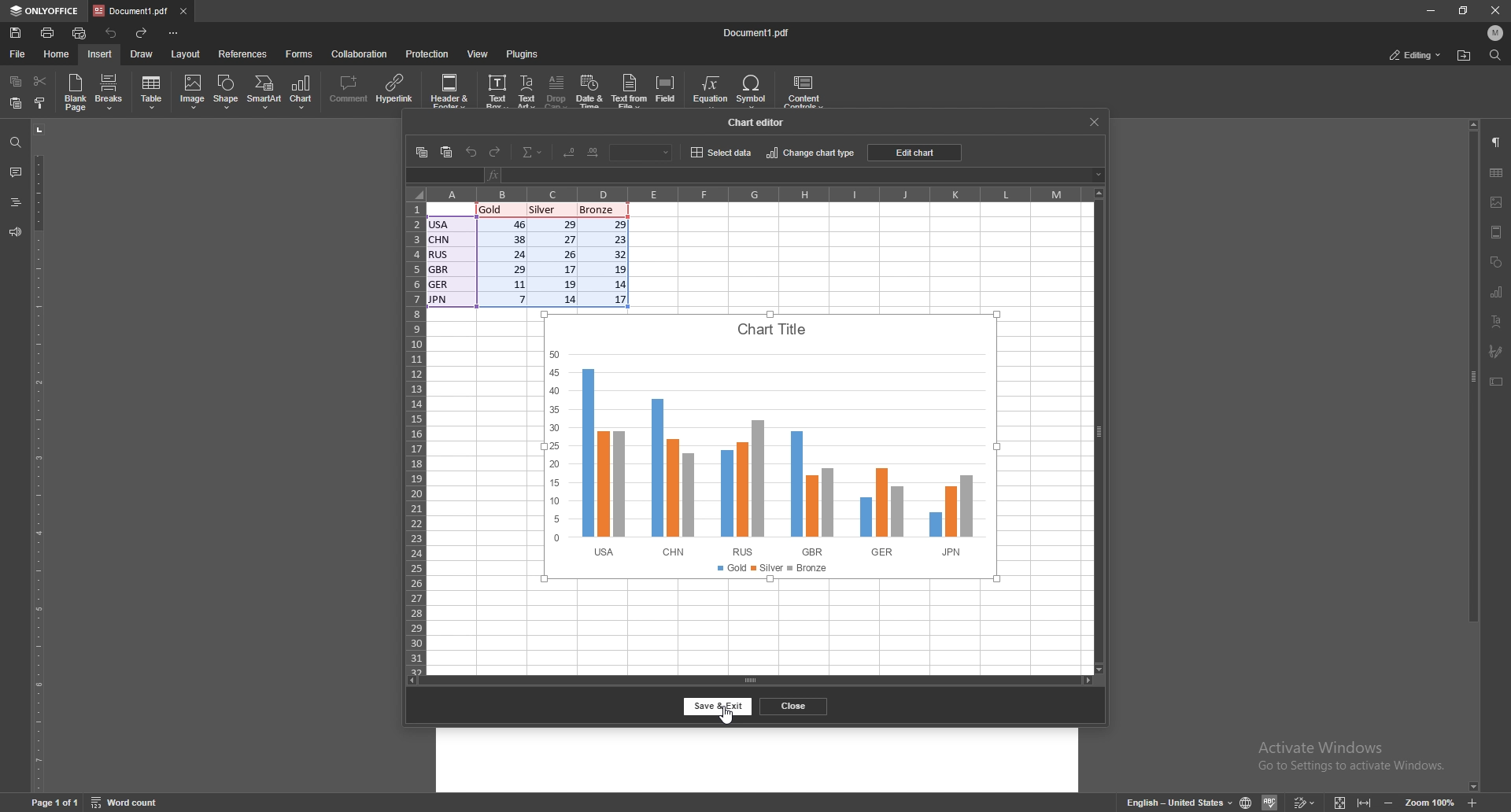 Image resolution: width=1511 pixels, height=812 pixels. What do you see at coordinates (526, 93) in the screenshot?
I see `text art` at bounding box center [526, 93].